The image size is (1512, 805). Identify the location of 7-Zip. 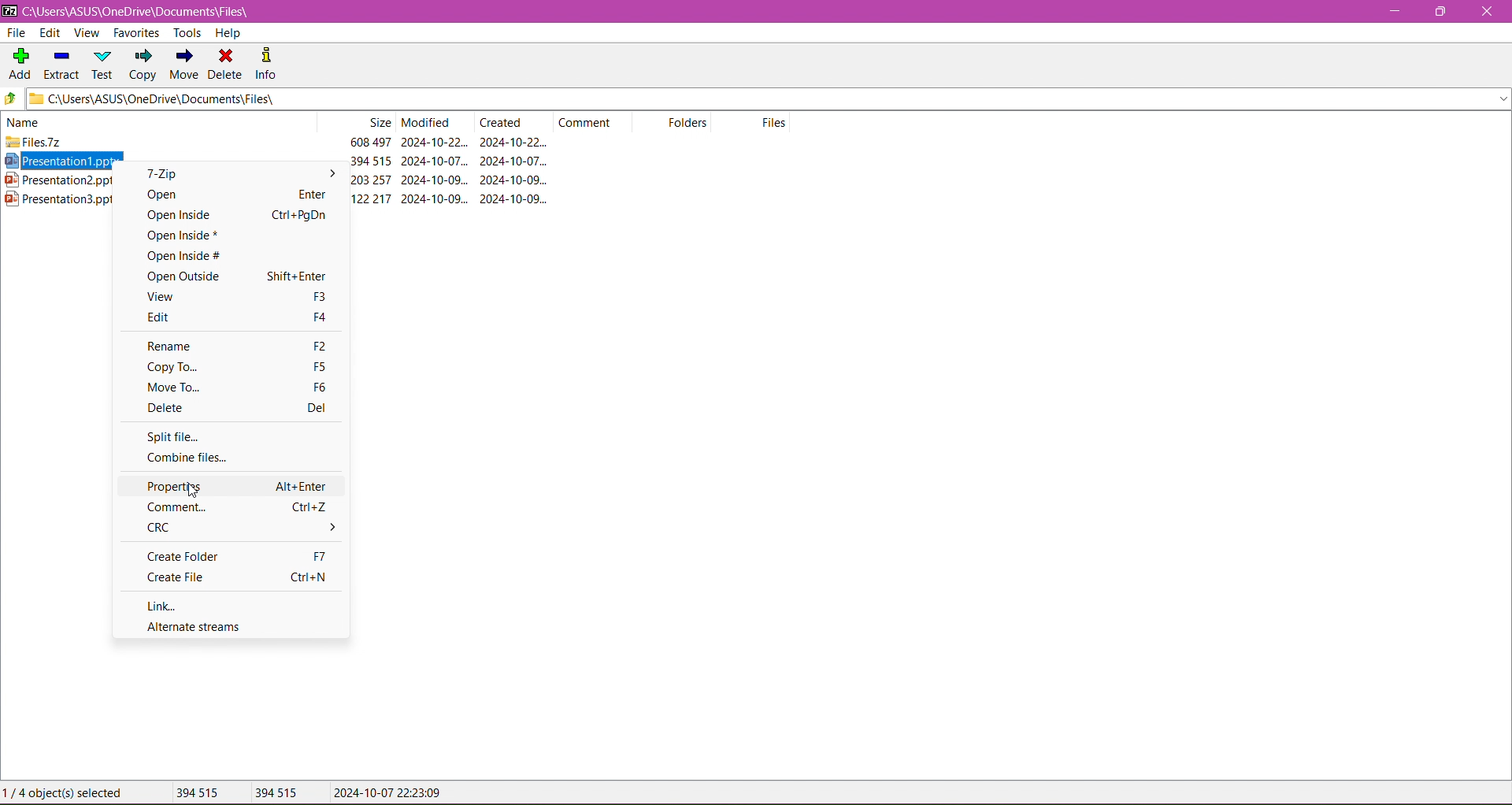
(233, 173).